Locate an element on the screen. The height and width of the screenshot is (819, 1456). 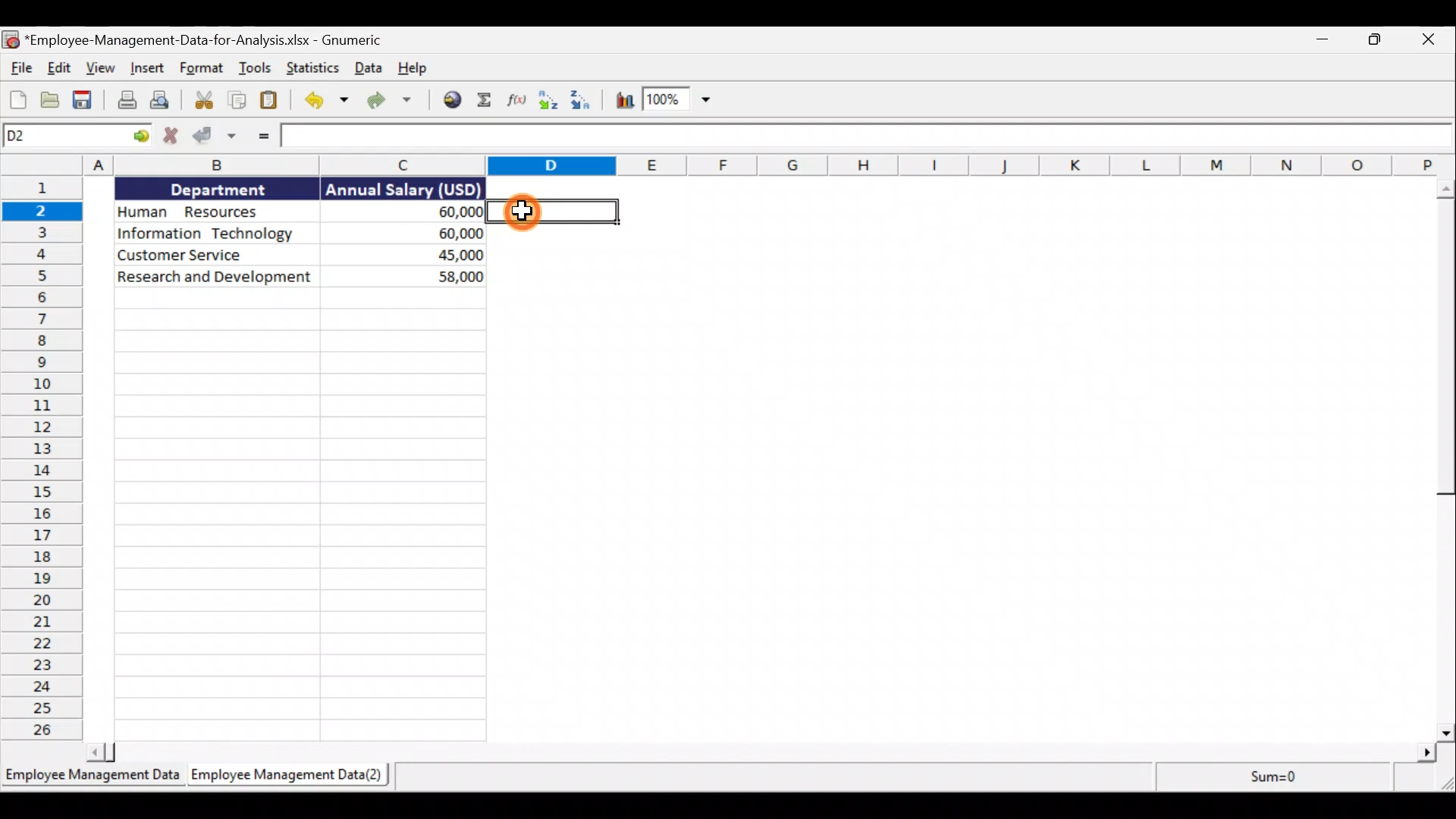
Sheet 2 is located at coordinates (295, 776).